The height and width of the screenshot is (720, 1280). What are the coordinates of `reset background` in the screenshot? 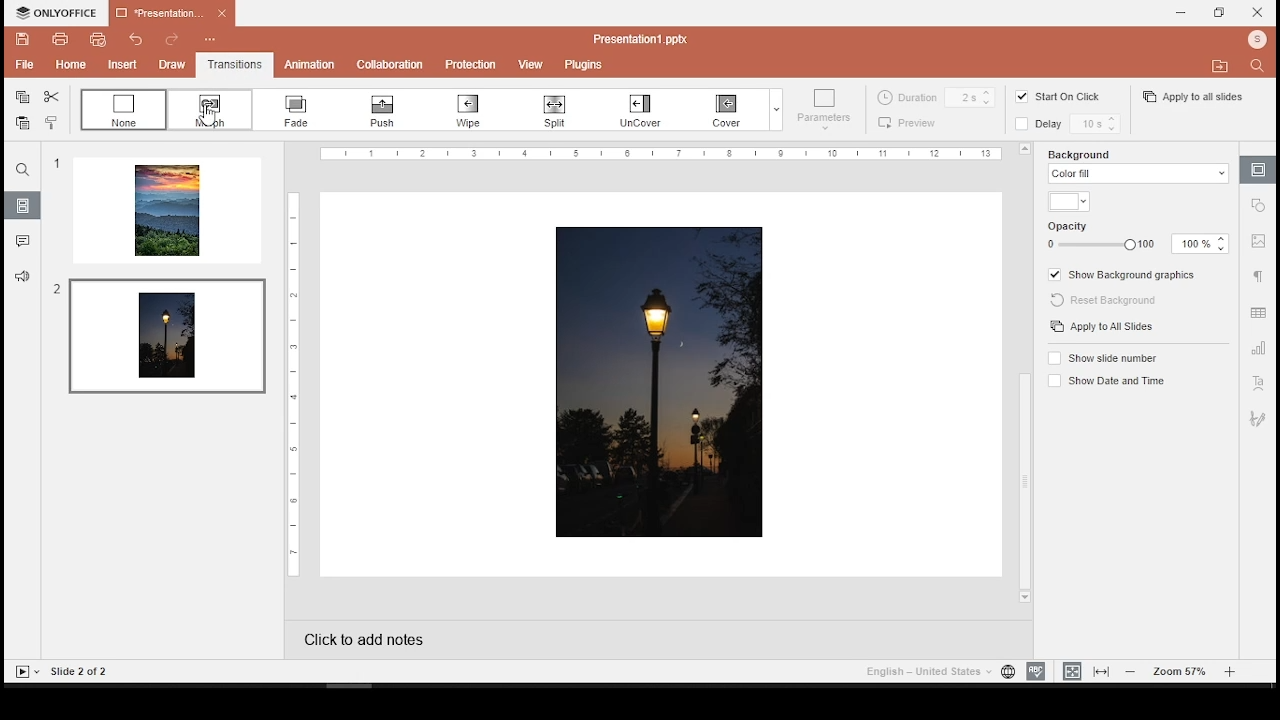 It's located at (1111, 301).